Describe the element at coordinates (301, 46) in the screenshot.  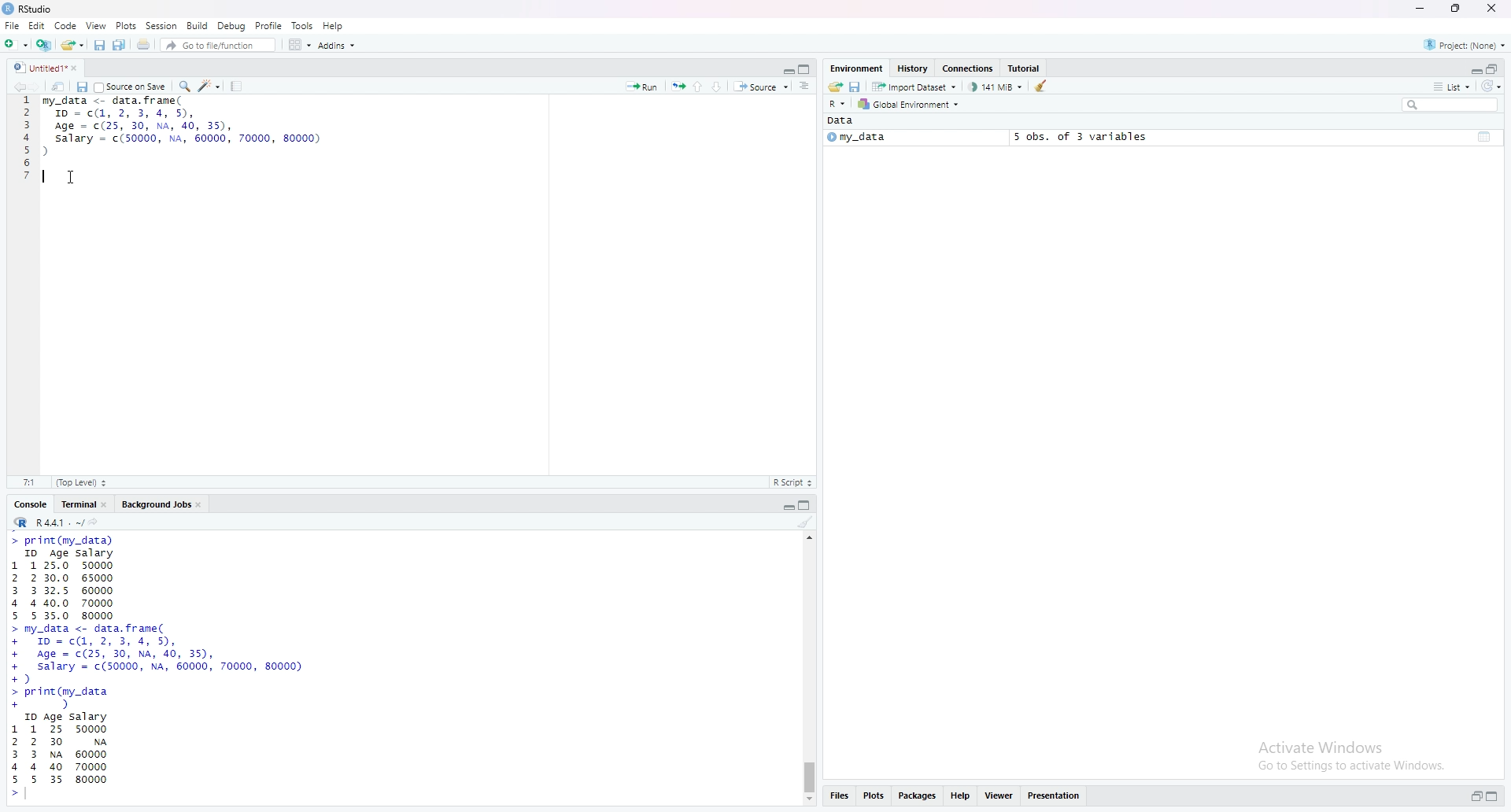
I see `workspace panes` at that location.